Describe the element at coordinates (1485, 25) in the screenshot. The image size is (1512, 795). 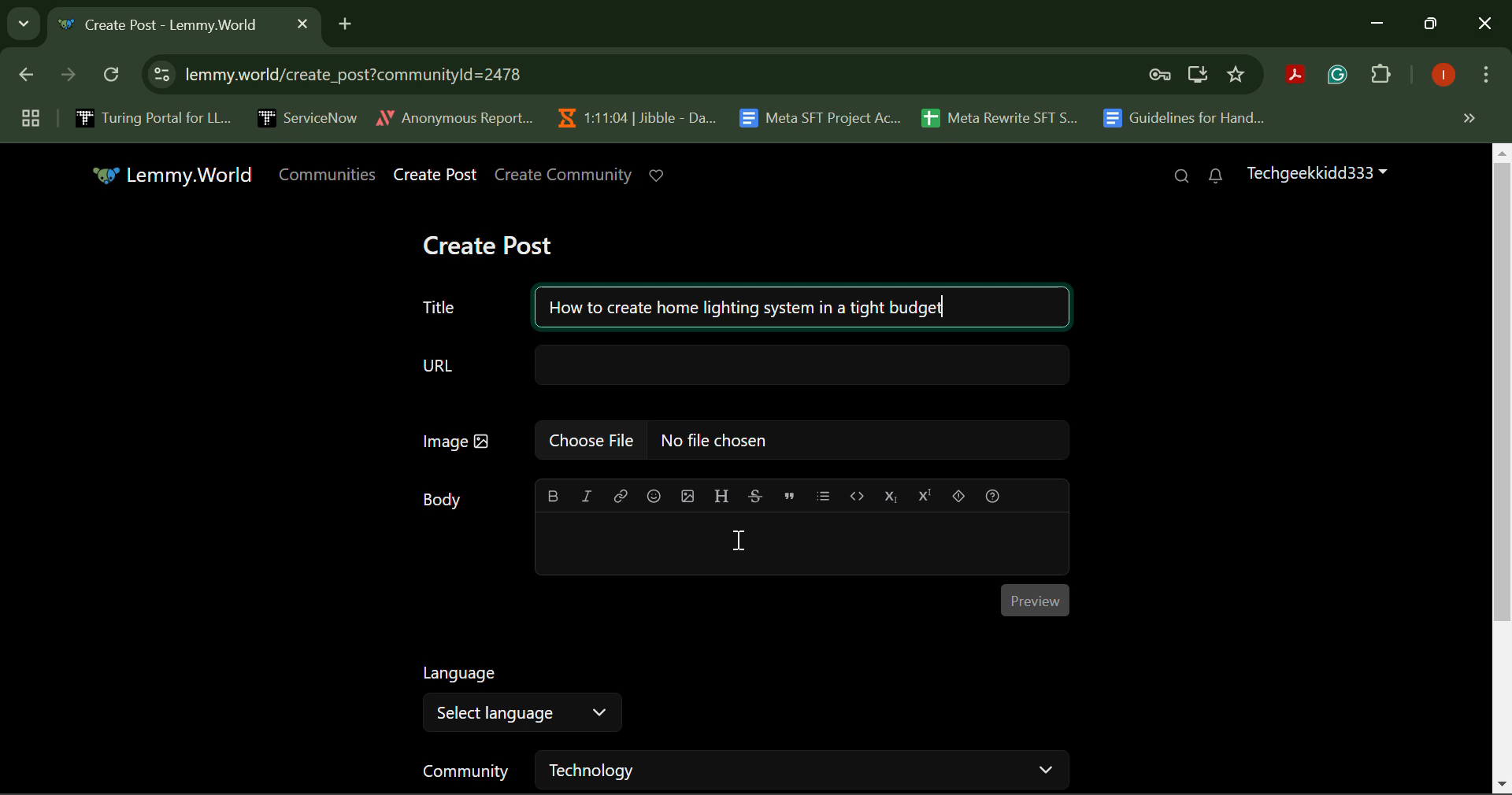
I see `Close Window` at that location.